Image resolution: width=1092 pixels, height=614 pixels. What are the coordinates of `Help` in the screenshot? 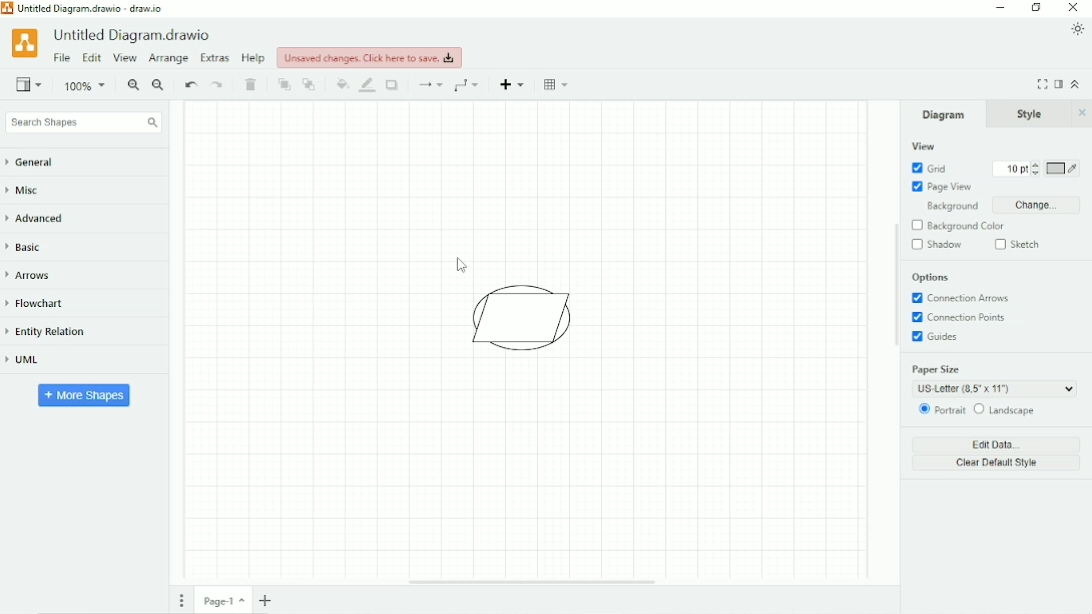 It's located at (254, 58).